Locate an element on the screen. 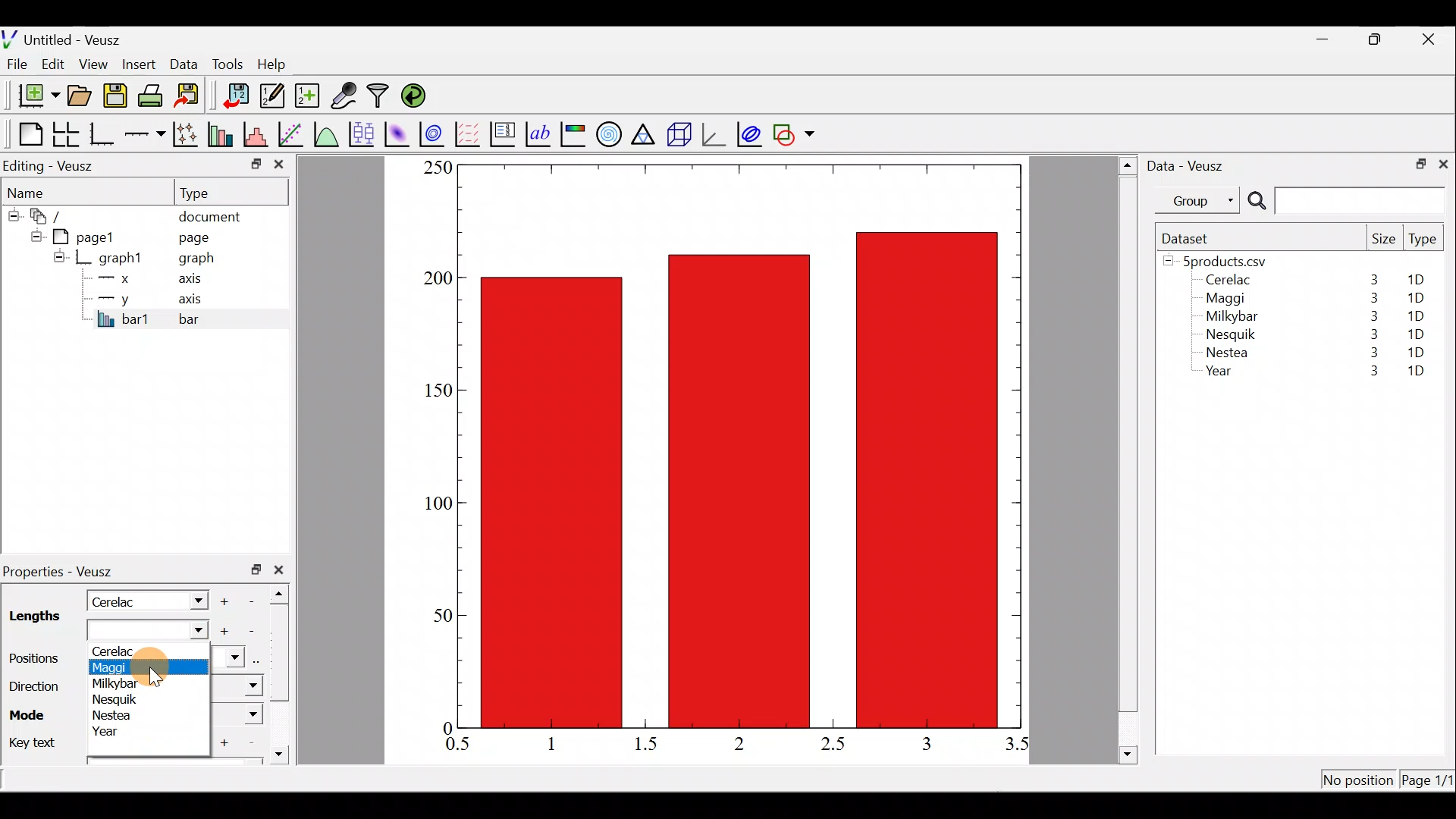 Image resolution: width=1456 pixels, height=819 pixels. Maggi is located at coordinates (117, 668).